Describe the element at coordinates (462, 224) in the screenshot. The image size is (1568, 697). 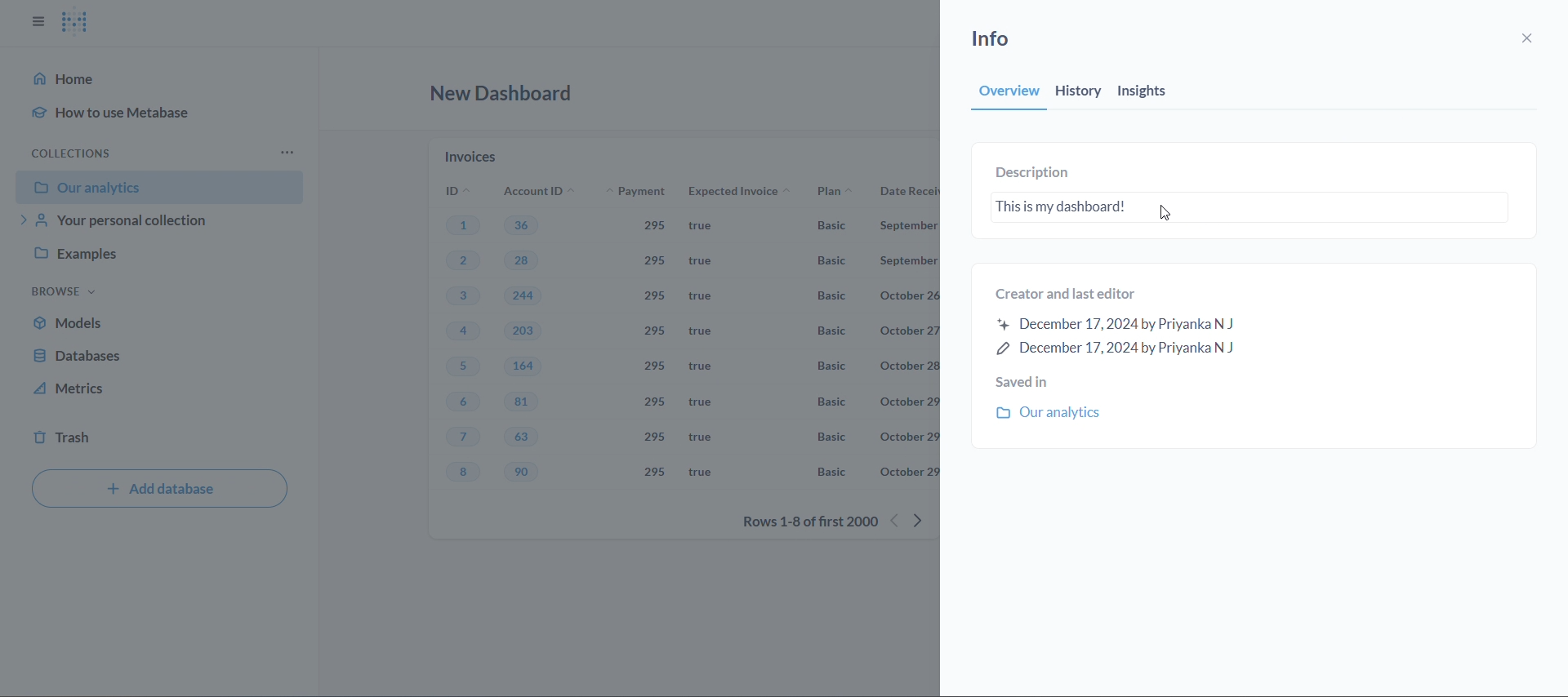
I see `1` at that location.